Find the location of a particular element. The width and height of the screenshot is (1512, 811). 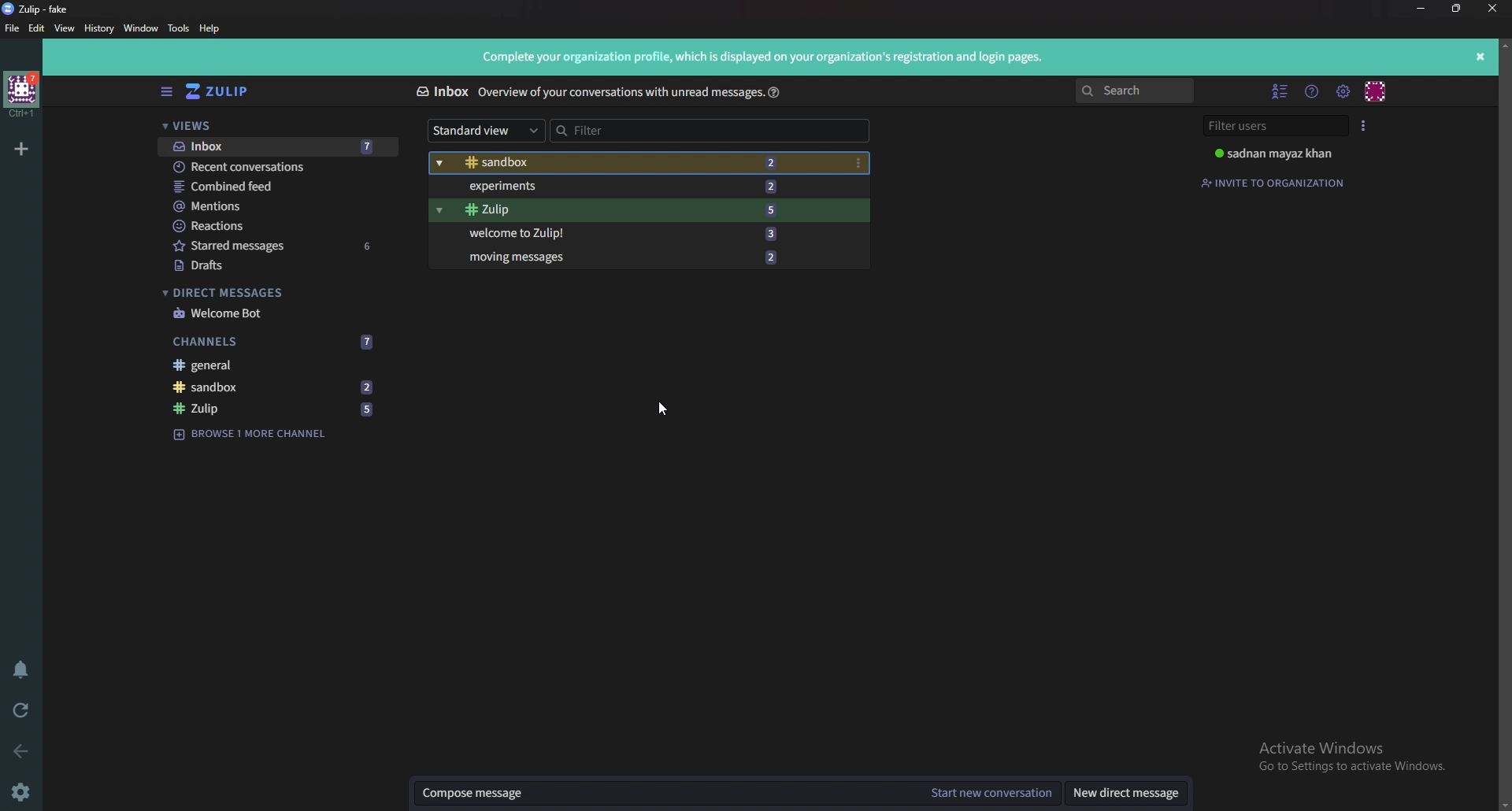

close is located at coordinates (1493, 7).